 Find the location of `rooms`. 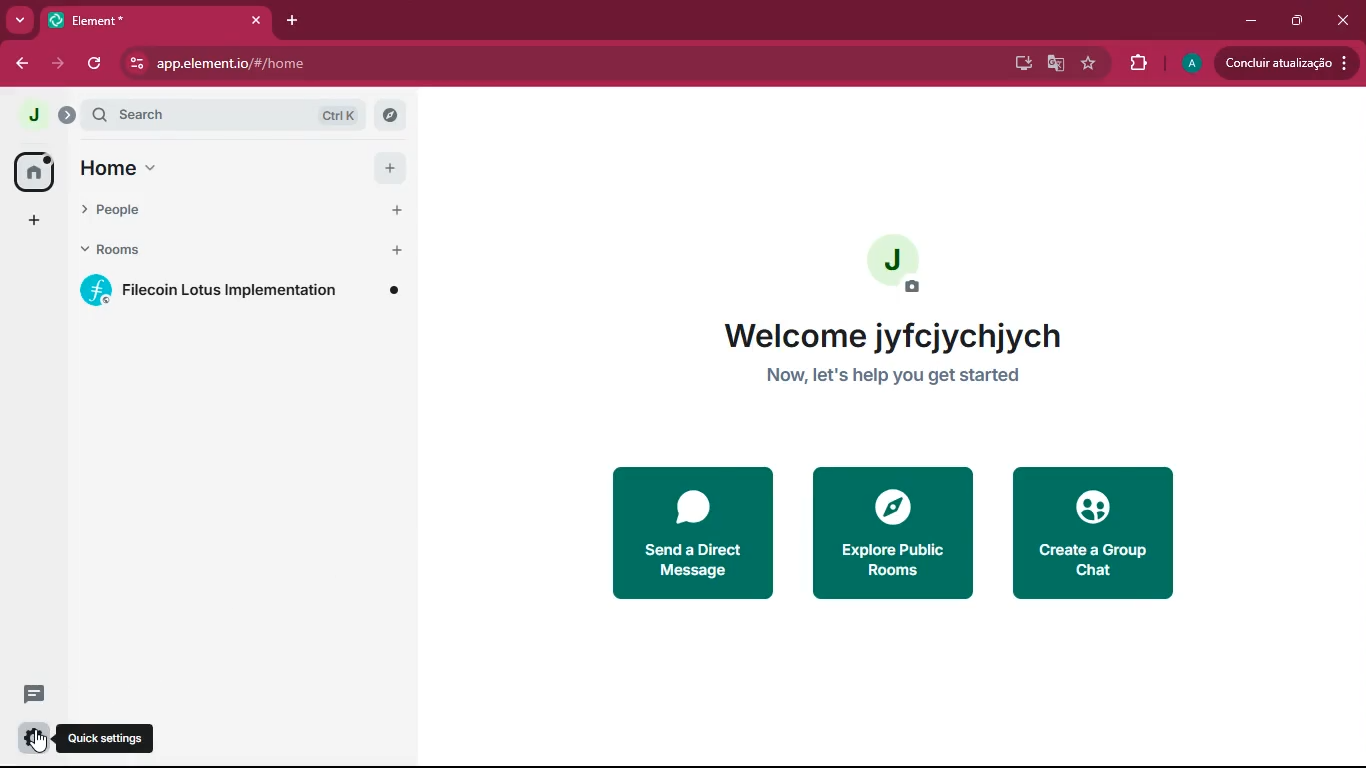

rooms is located at coordinates (212, 251).